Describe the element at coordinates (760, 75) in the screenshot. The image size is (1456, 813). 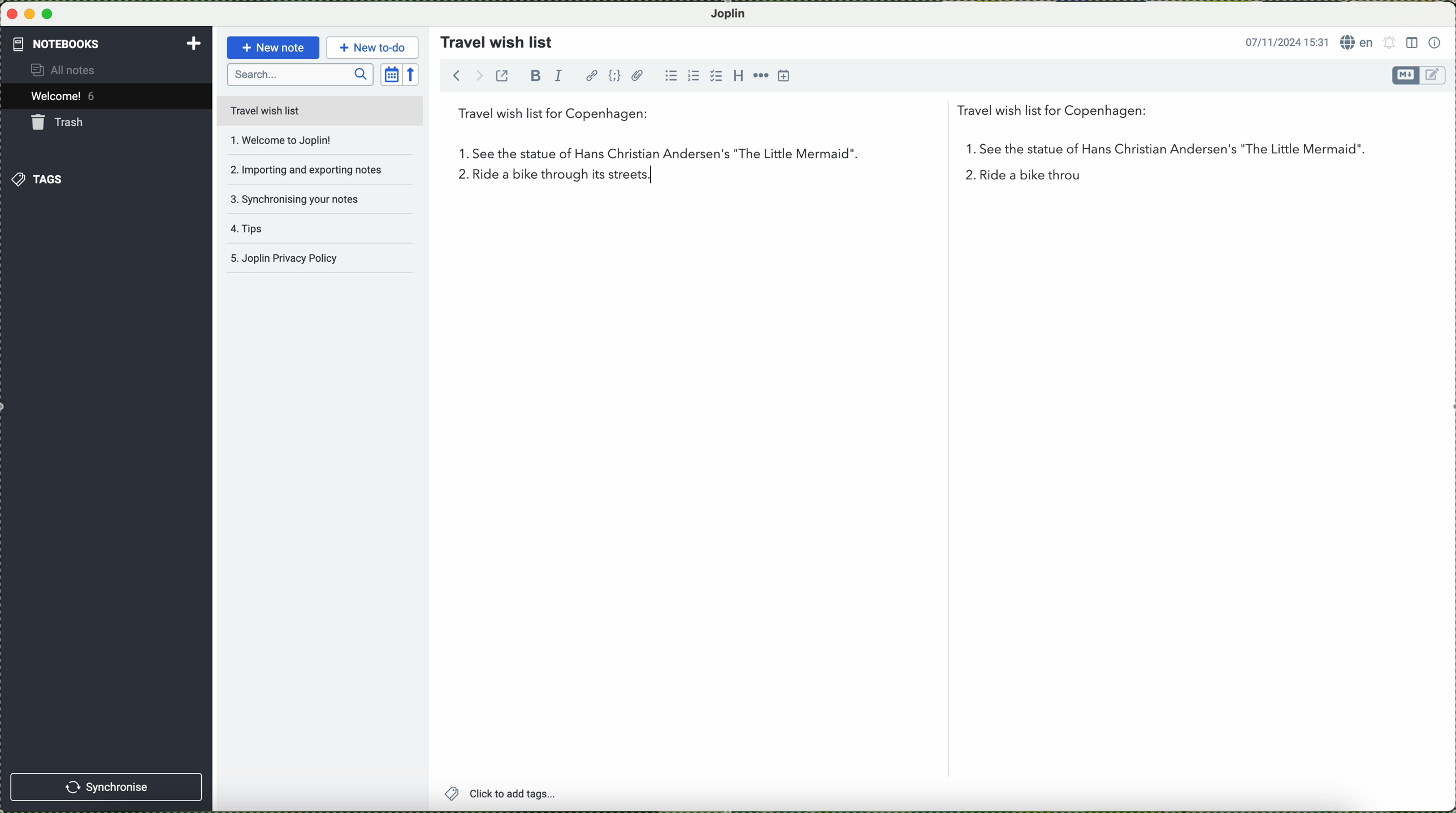
I see `horizontal rule` at that location.